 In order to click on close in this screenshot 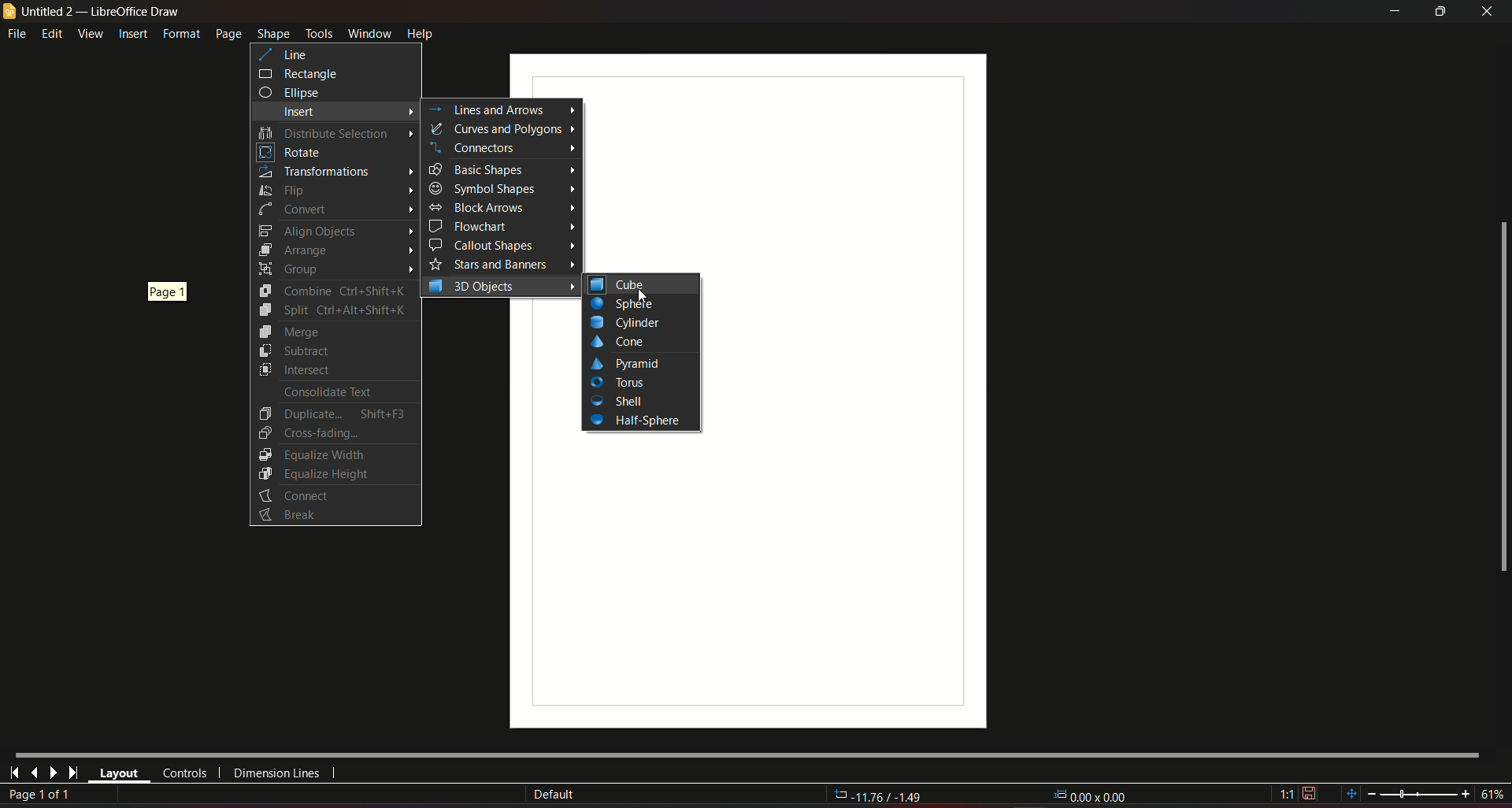, I will do `click(1488, 11)`.